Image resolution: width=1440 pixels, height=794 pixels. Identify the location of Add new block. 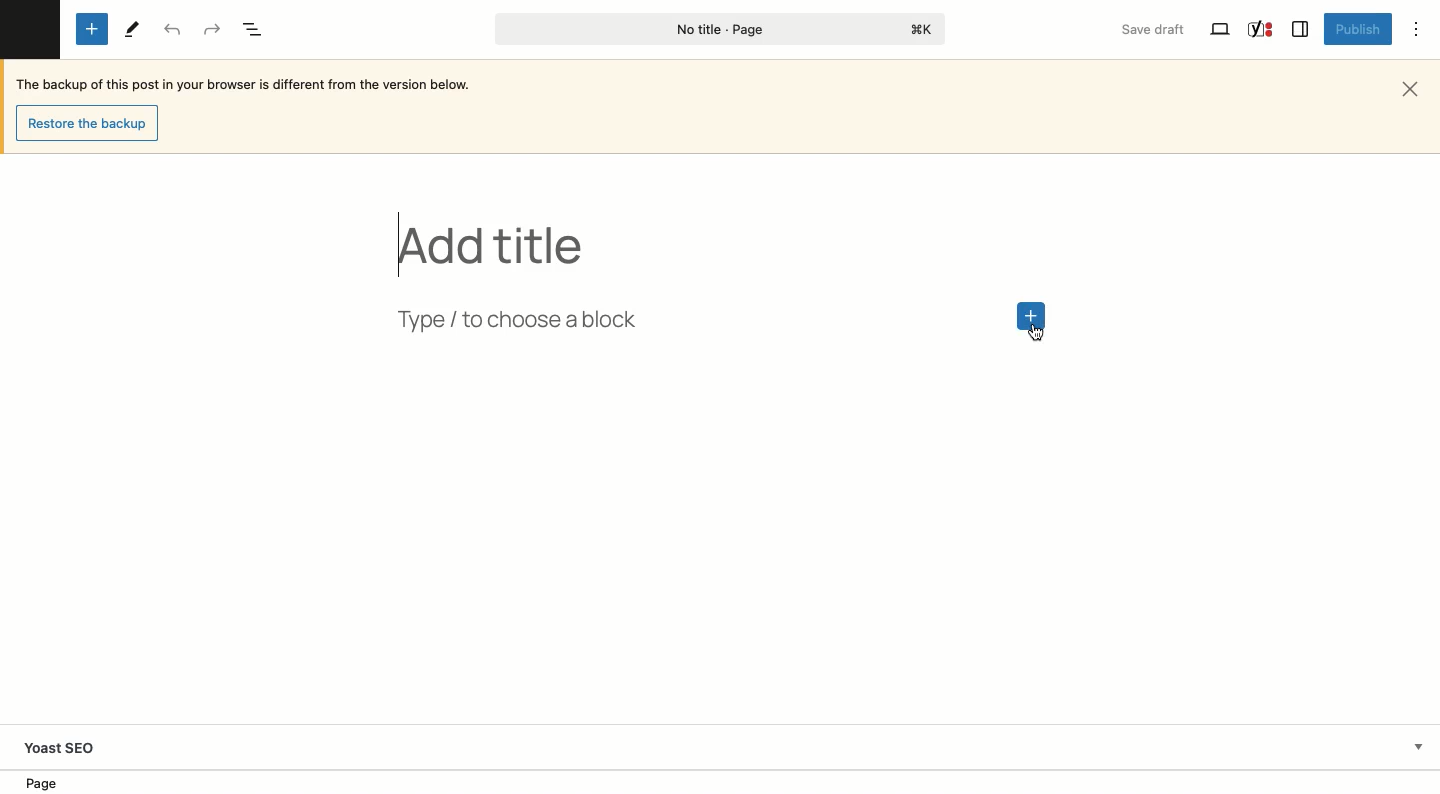
(1033, 313).